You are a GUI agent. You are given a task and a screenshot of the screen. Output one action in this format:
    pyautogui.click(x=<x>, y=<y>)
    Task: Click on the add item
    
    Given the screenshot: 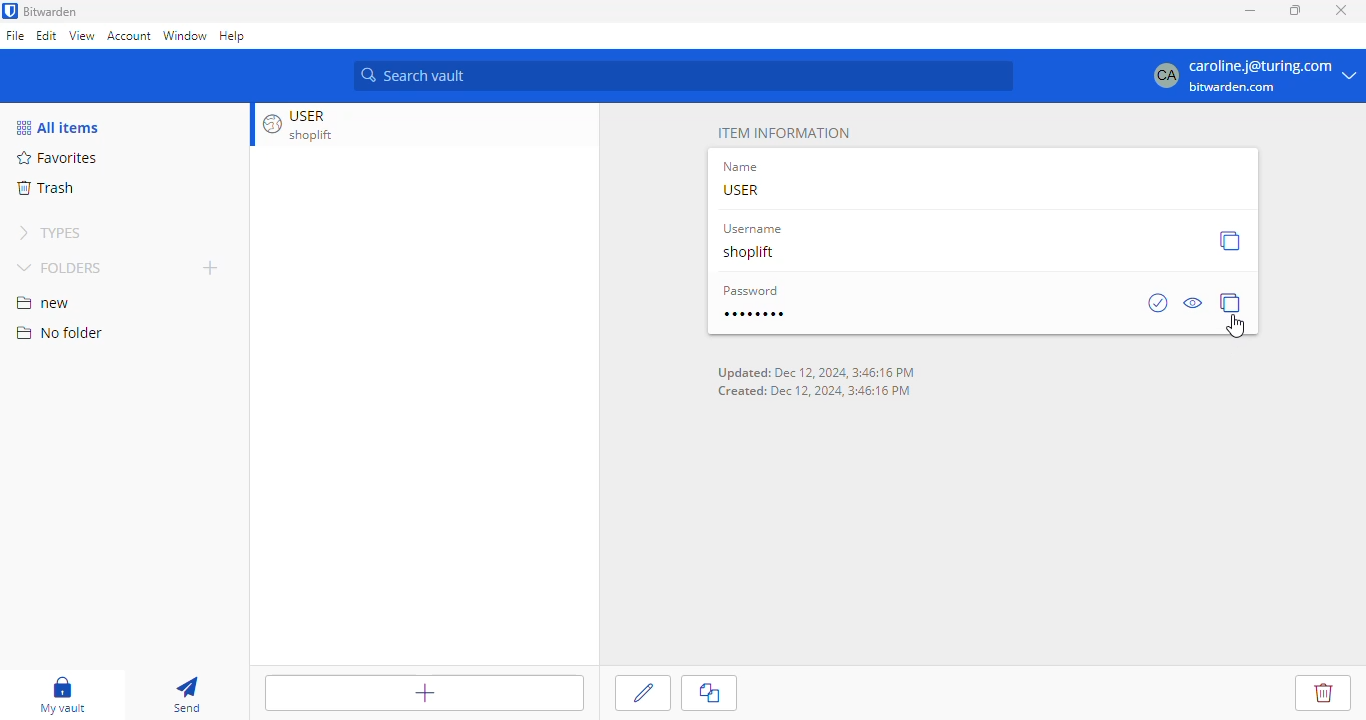 What is the action you would take?
    pyautogui.click(x=417, y=694)
    